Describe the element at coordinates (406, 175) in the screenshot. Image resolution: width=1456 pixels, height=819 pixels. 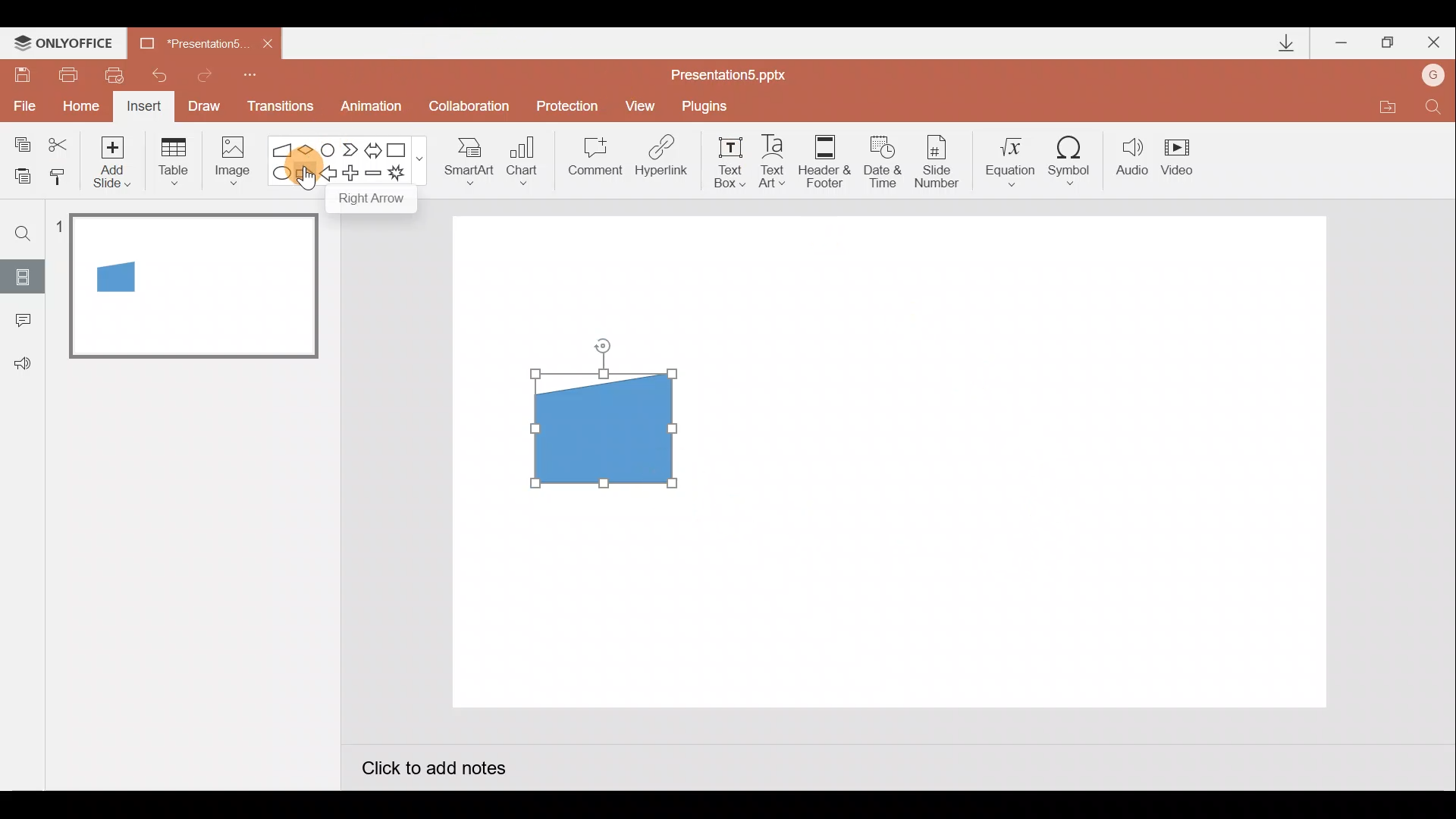
I see `Explosion 1` at that location.